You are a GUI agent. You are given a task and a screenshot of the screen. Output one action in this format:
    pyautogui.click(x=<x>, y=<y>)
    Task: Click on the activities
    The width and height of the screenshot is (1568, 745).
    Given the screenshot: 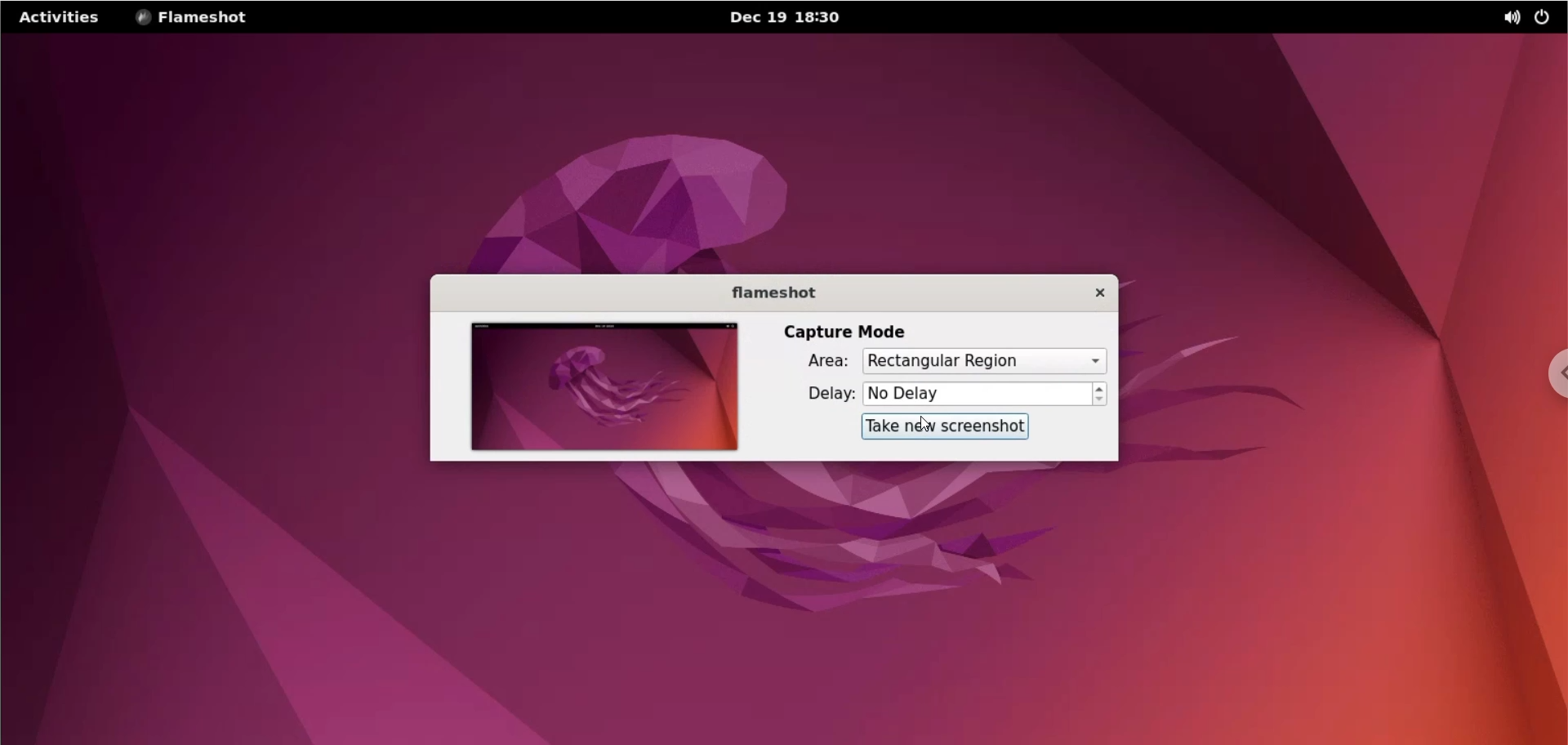 What is the action you would take?
    pyautogui.click(x=61, y=17)
    